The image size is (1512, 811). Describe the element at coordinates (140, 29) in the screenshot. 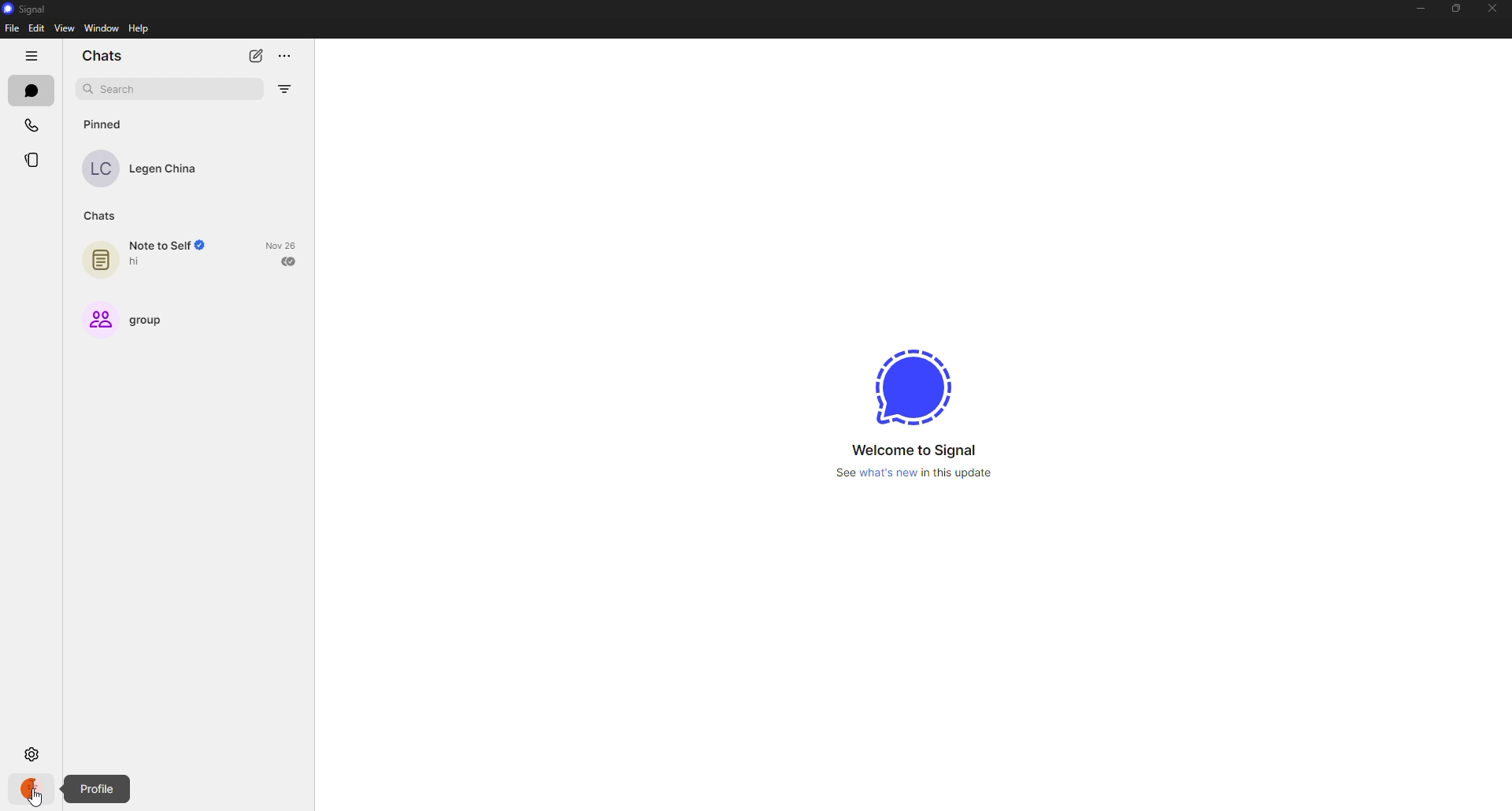

I see `help` at that location.